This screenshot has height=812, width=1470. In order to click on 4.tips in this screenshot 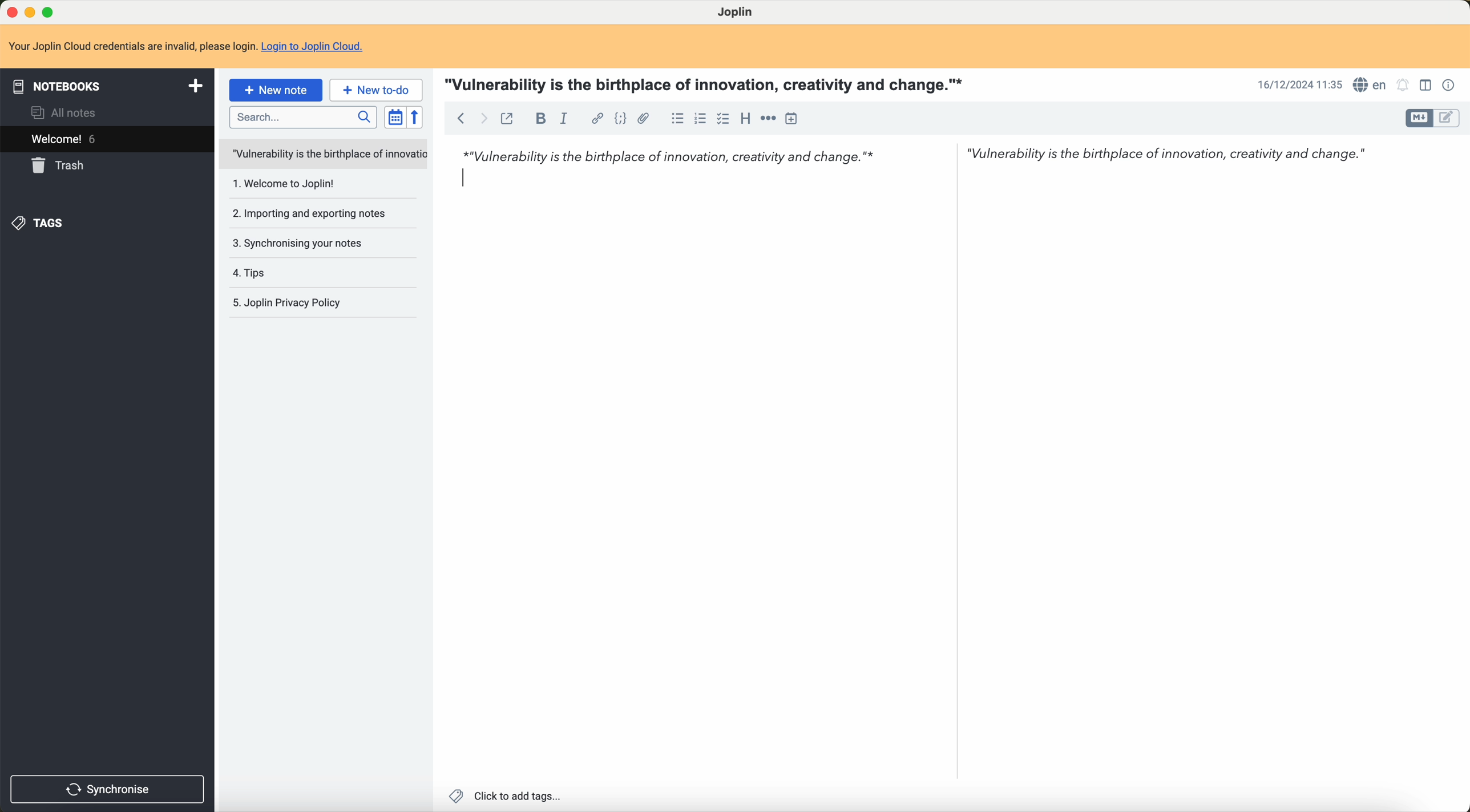, I will do `click(253, 273)`.